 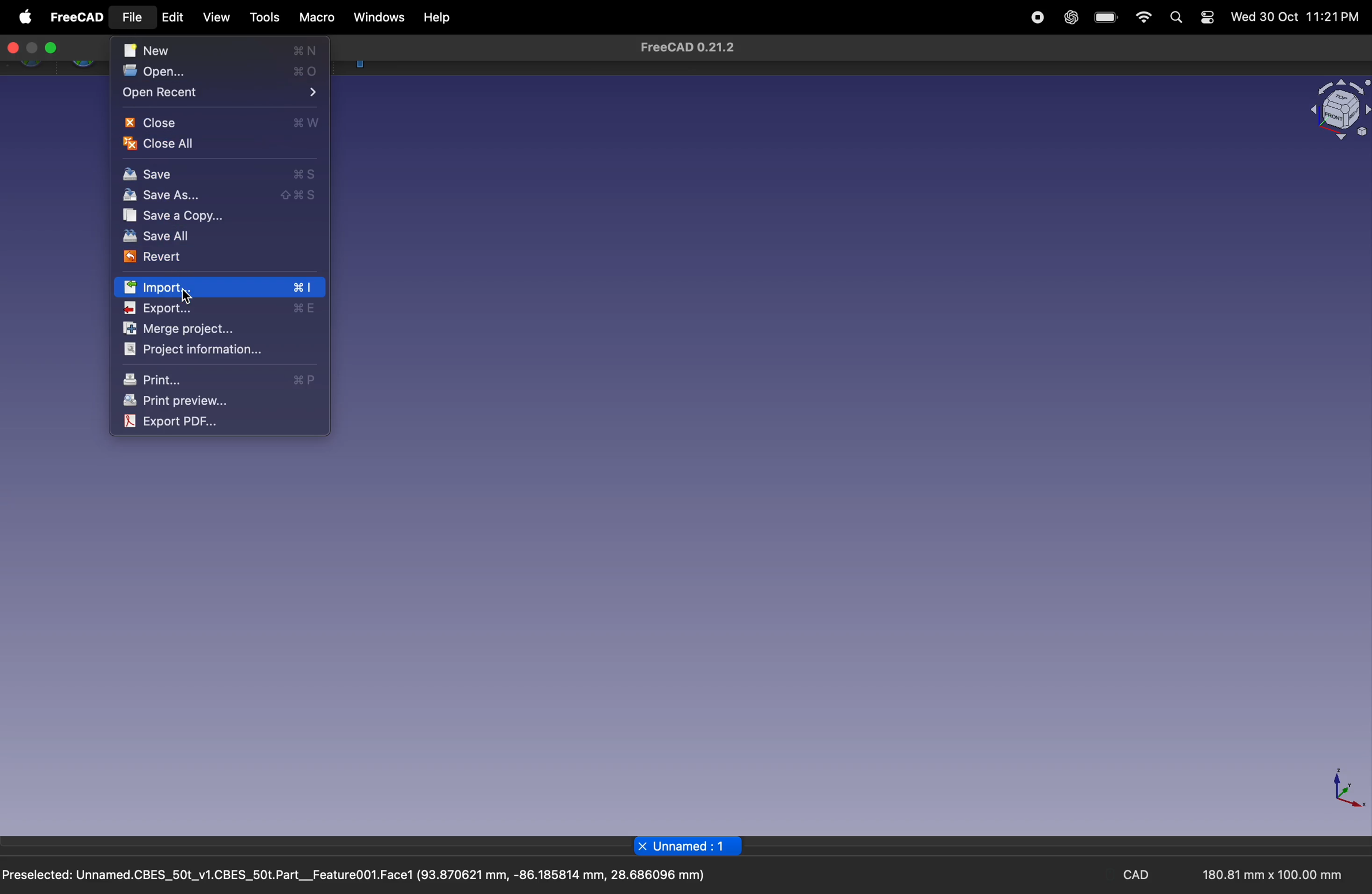 What do you see at coordinates (1105, 18) in the screenshot?
I see `battery` at bounding box center [1105, 18].